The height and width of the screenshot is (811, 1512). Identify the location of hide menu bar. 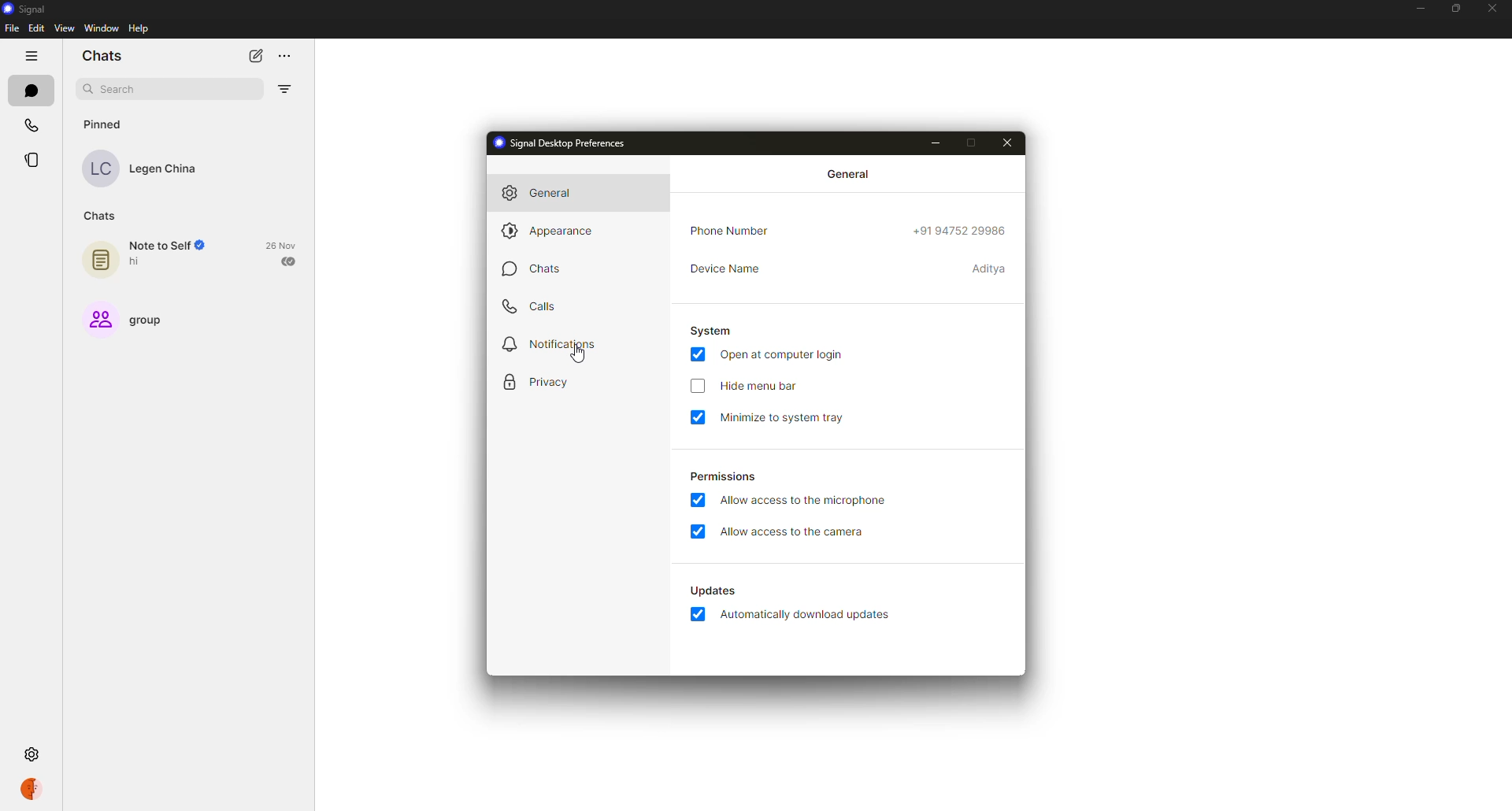
(761, 384).